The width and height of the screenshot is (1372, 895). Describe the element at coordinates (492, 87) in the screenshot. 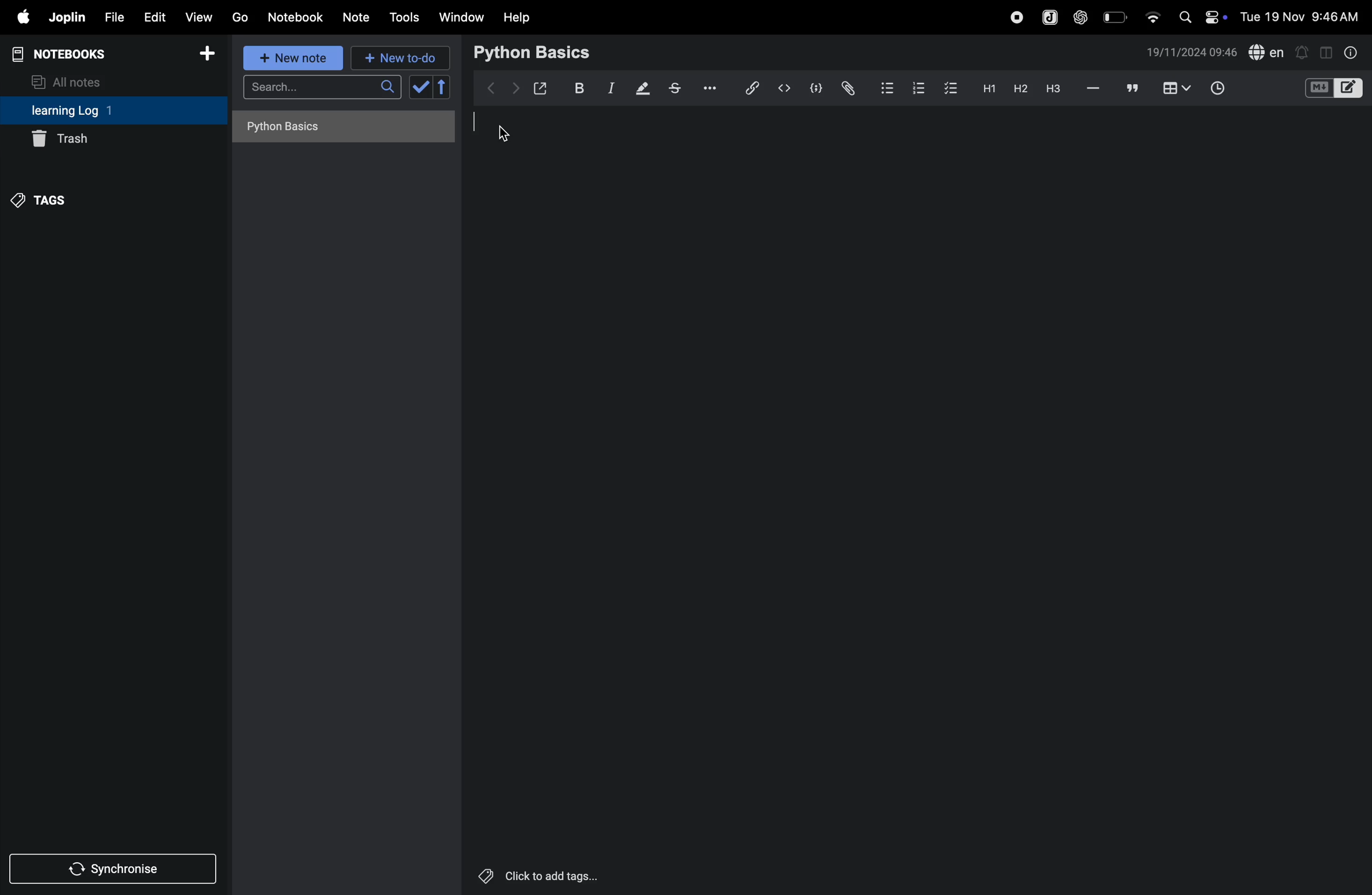

I see `backward` at that location.